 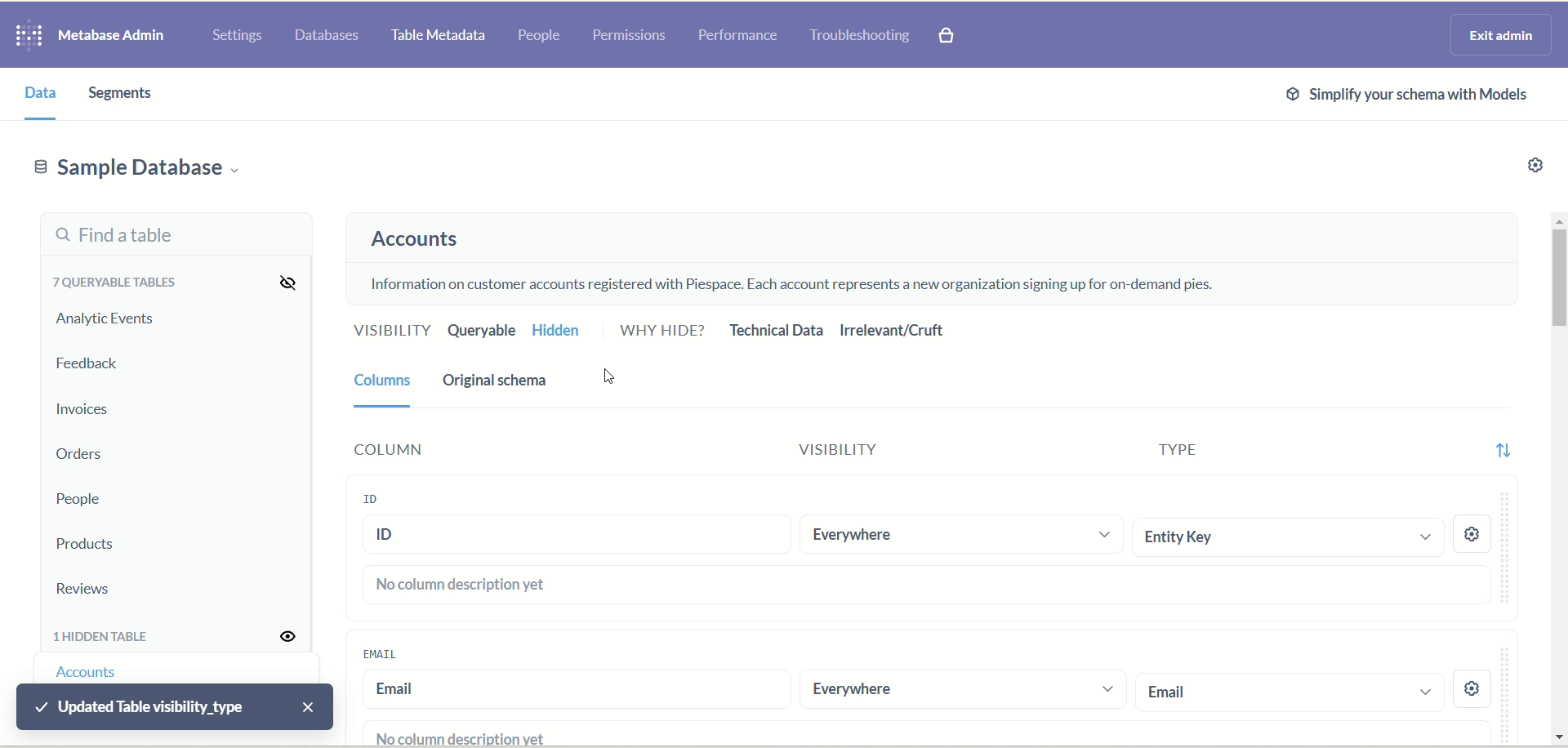 What do you see at coordinates (420, 243) in the screenshot?
I see `accounts` at bounding box center [420, 243].